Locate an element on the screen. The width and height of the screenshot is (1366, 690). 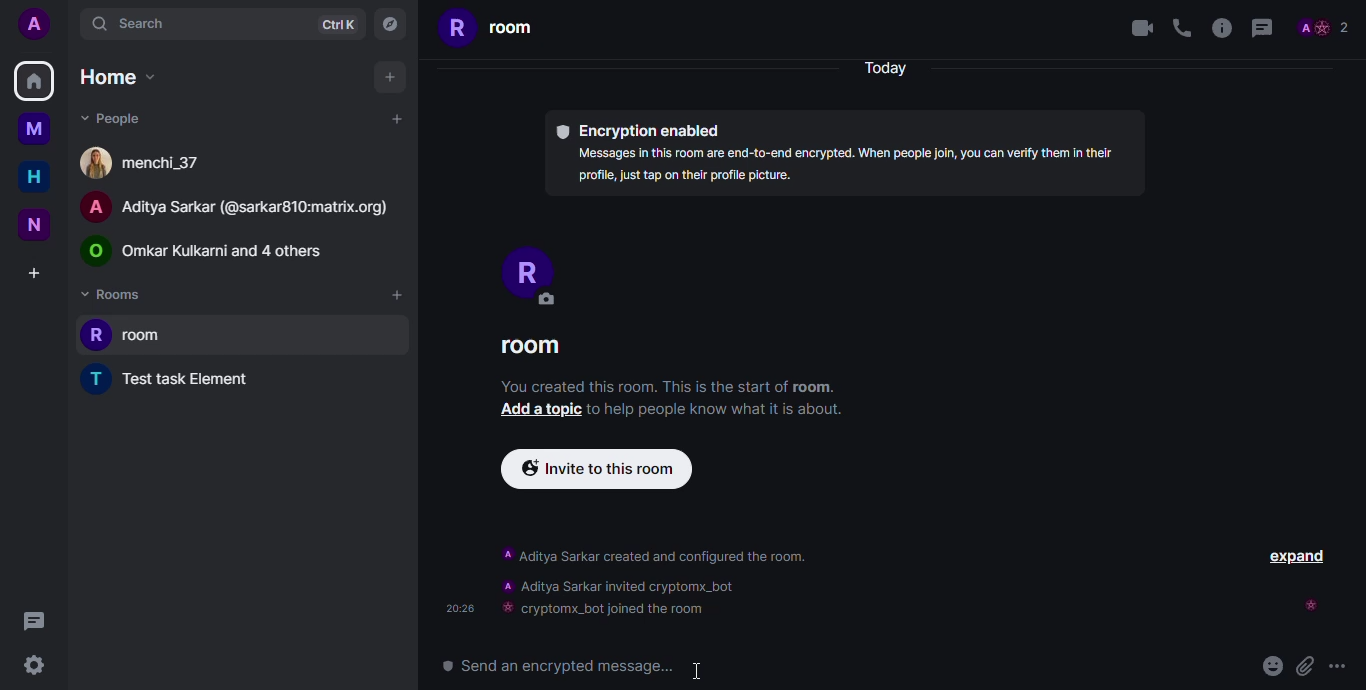
attach is located at coordinates (1304, 665).